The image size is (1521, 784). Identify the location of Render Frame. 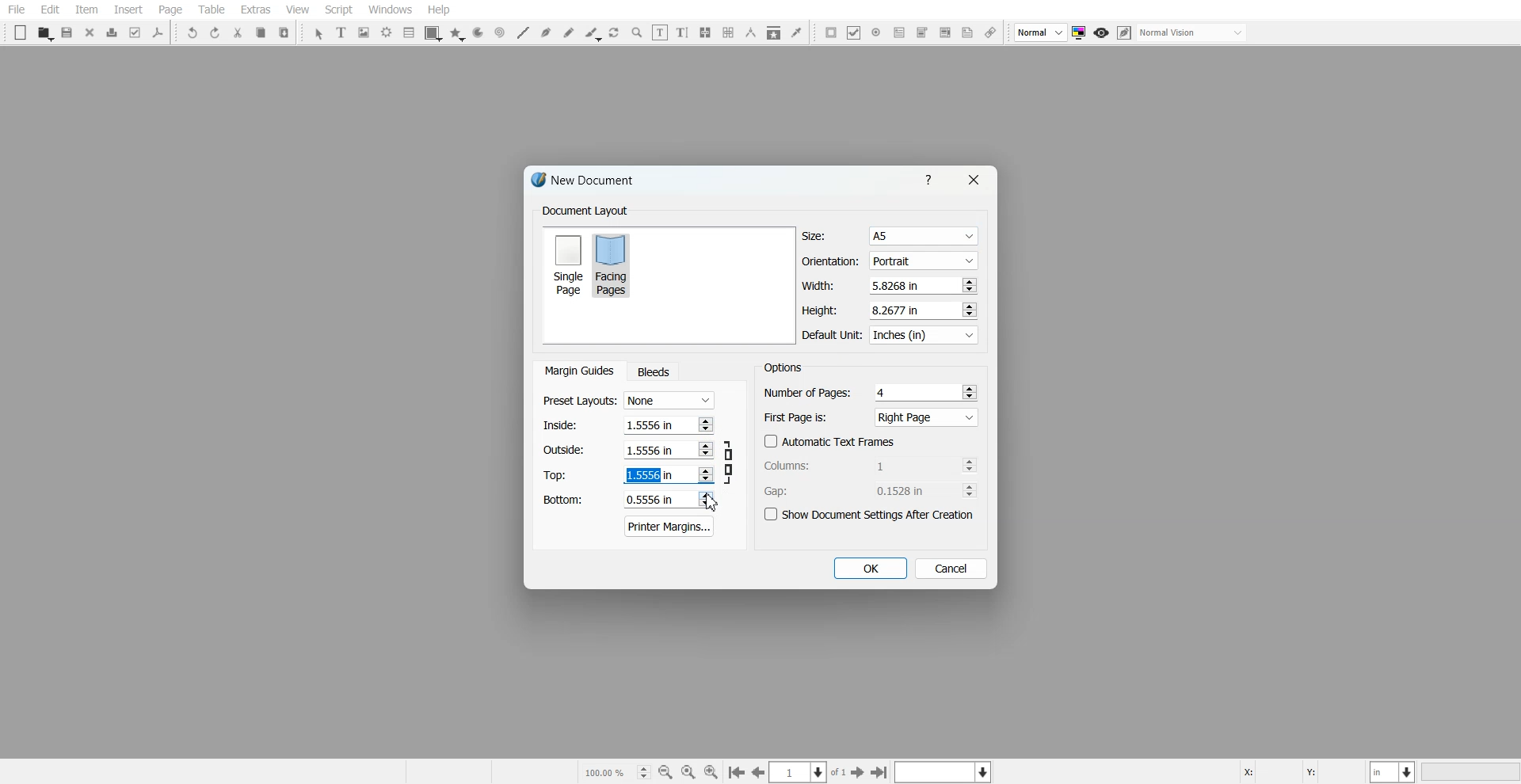
(387, 32).